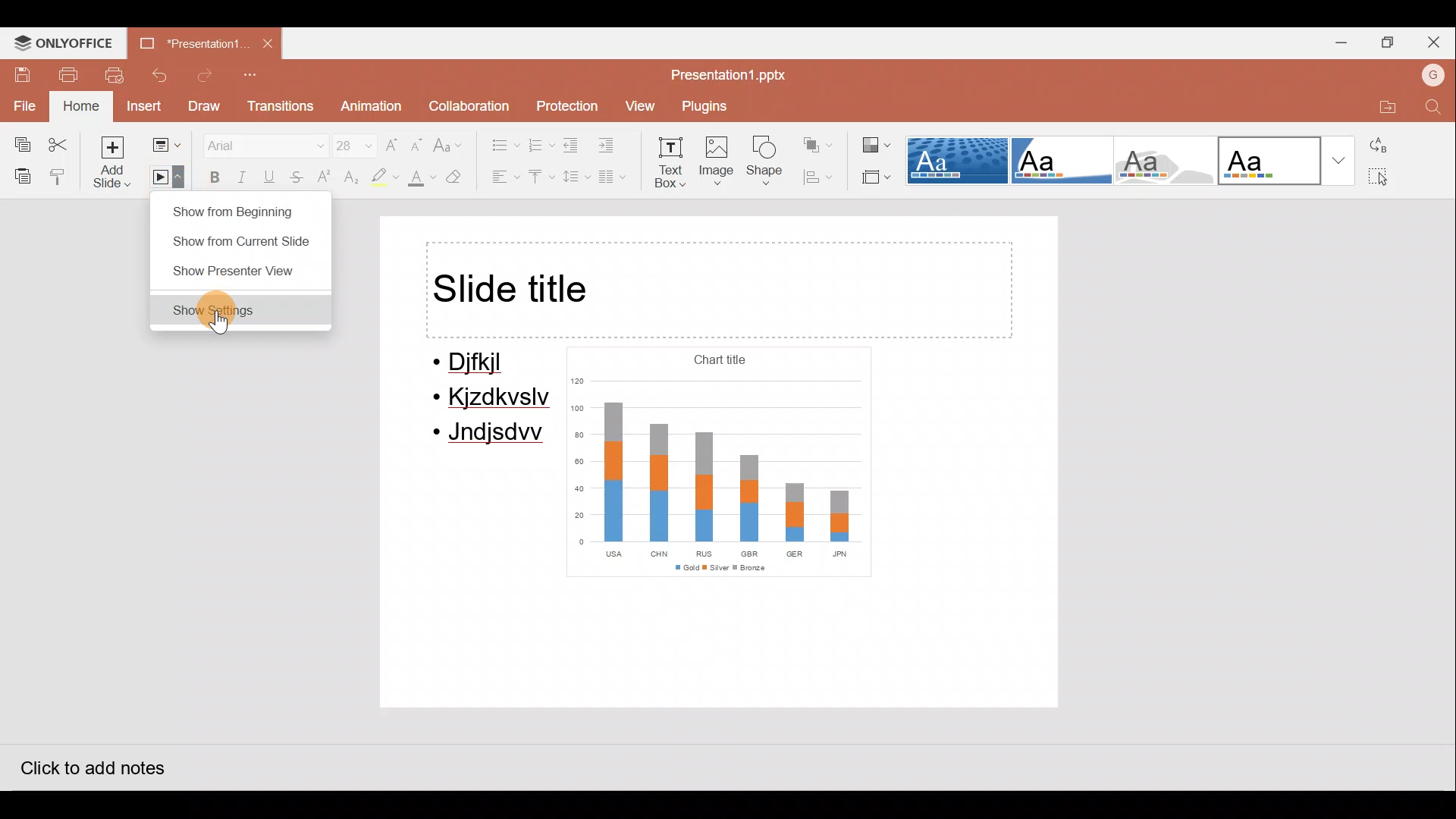 Image resolution: width=1456 pixels, height=819 pixels. I want to click on Save, so click(14, 74).